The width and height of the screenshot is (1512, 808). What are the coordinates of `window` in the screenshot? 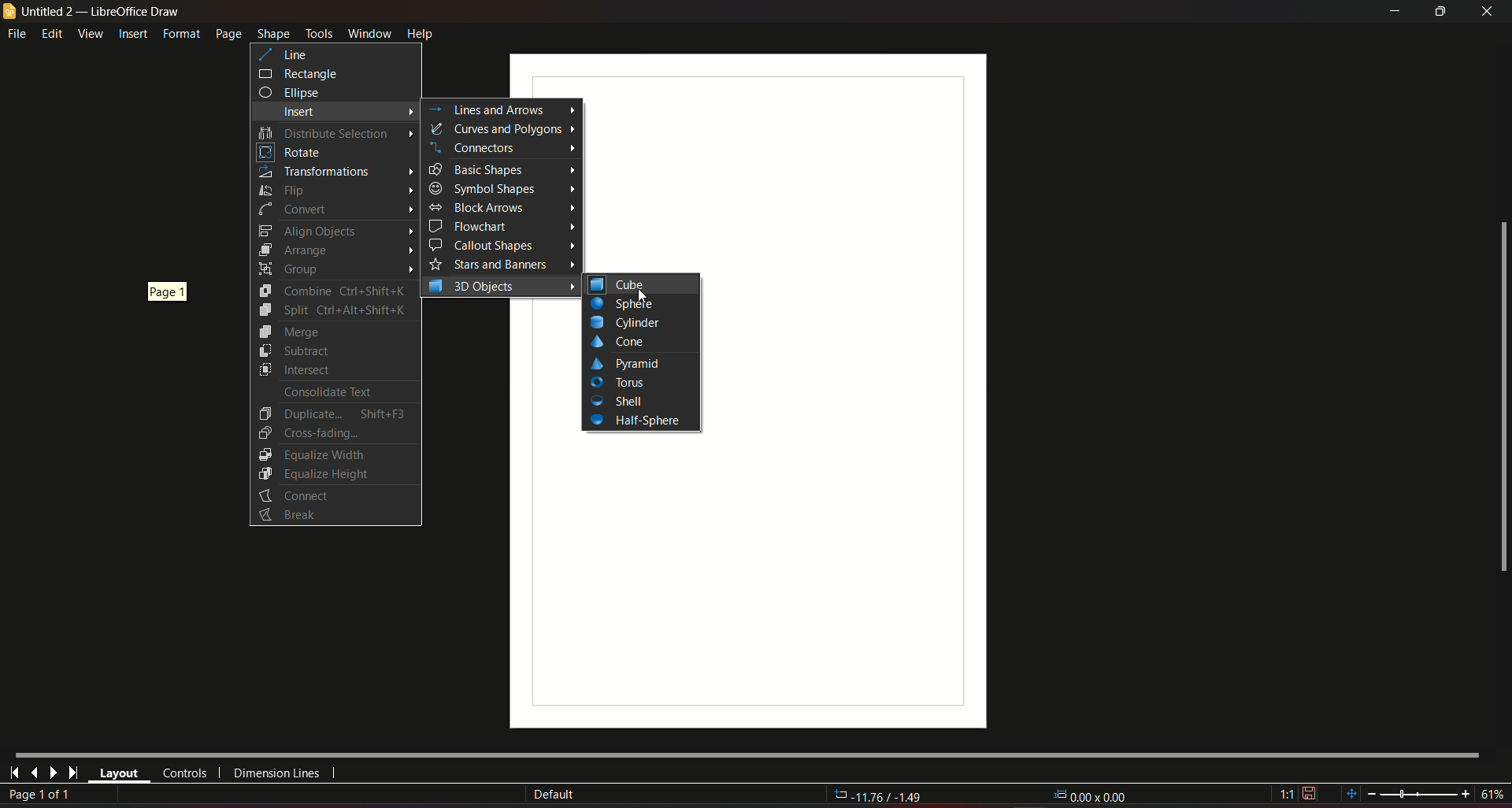 It's located at (368, 31).